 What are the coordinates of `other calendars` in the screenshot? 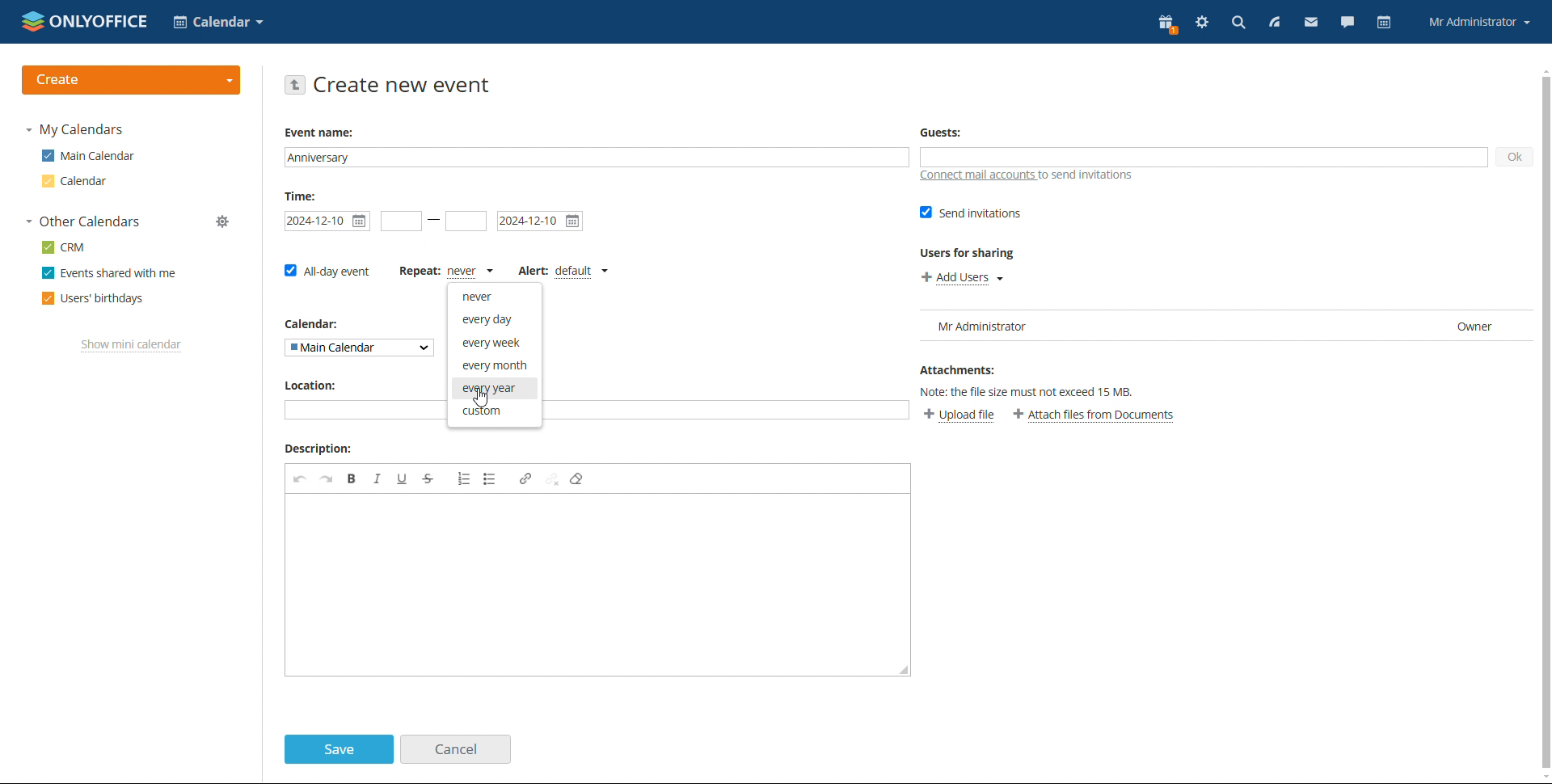 It's located at (83, 221).